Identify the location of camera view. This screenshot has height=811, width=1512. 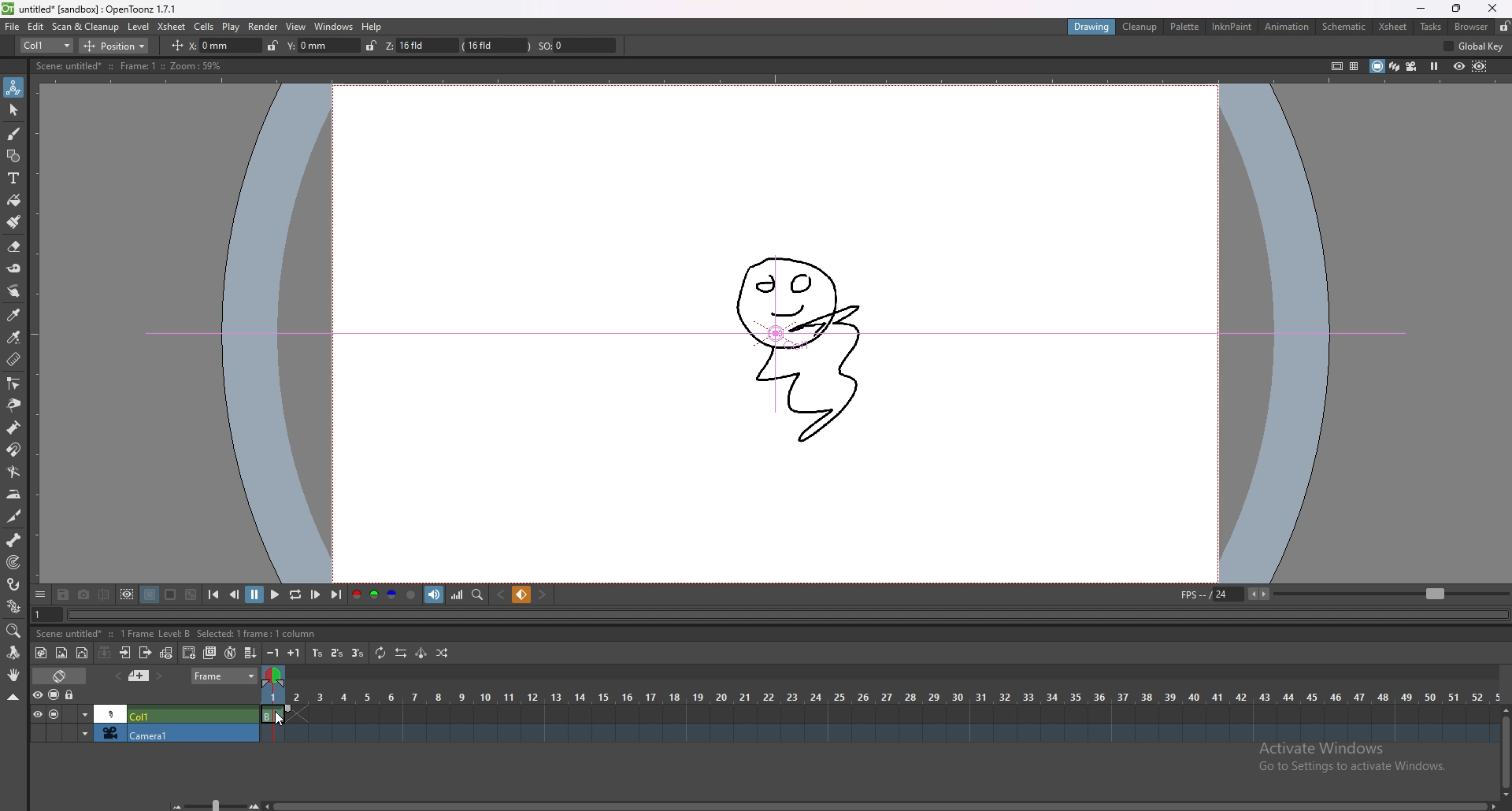
(1411, 65).